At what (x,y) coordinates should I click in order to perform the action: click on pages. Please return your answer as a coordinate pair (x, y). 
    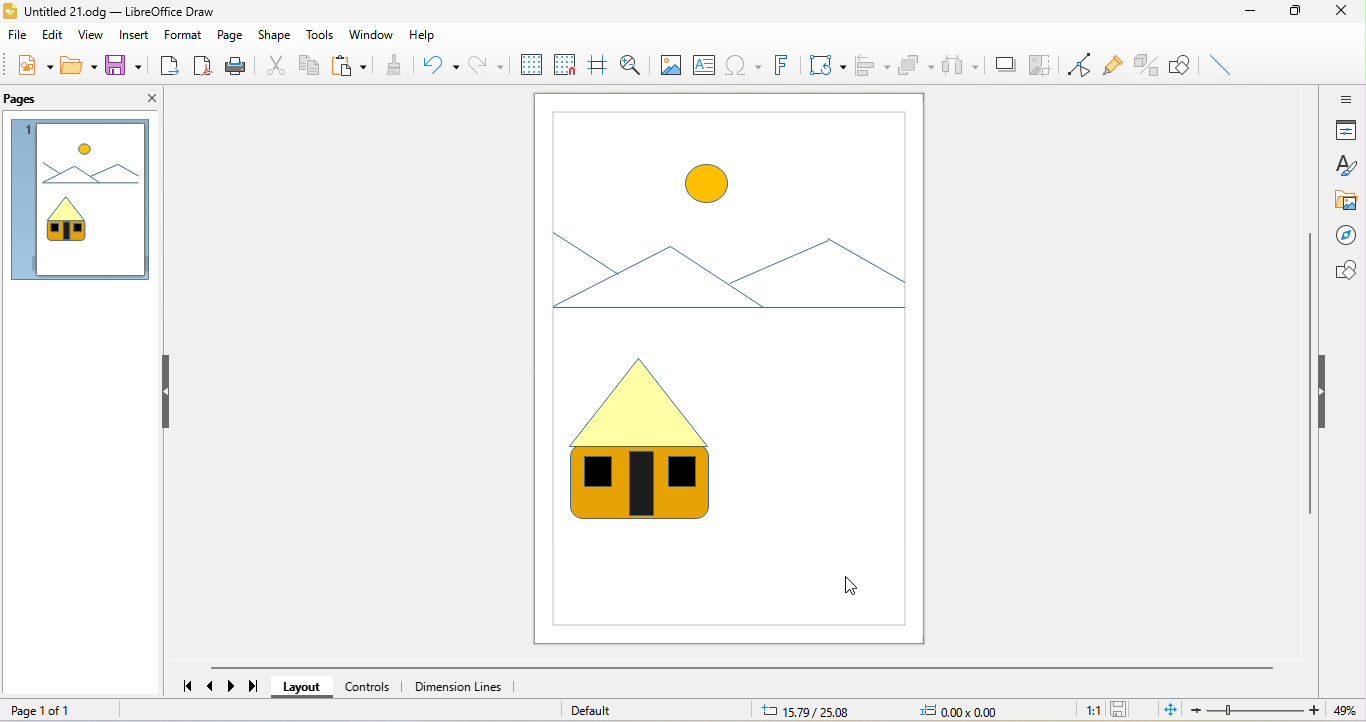
    Looking at the image, I should click on (33, 101).